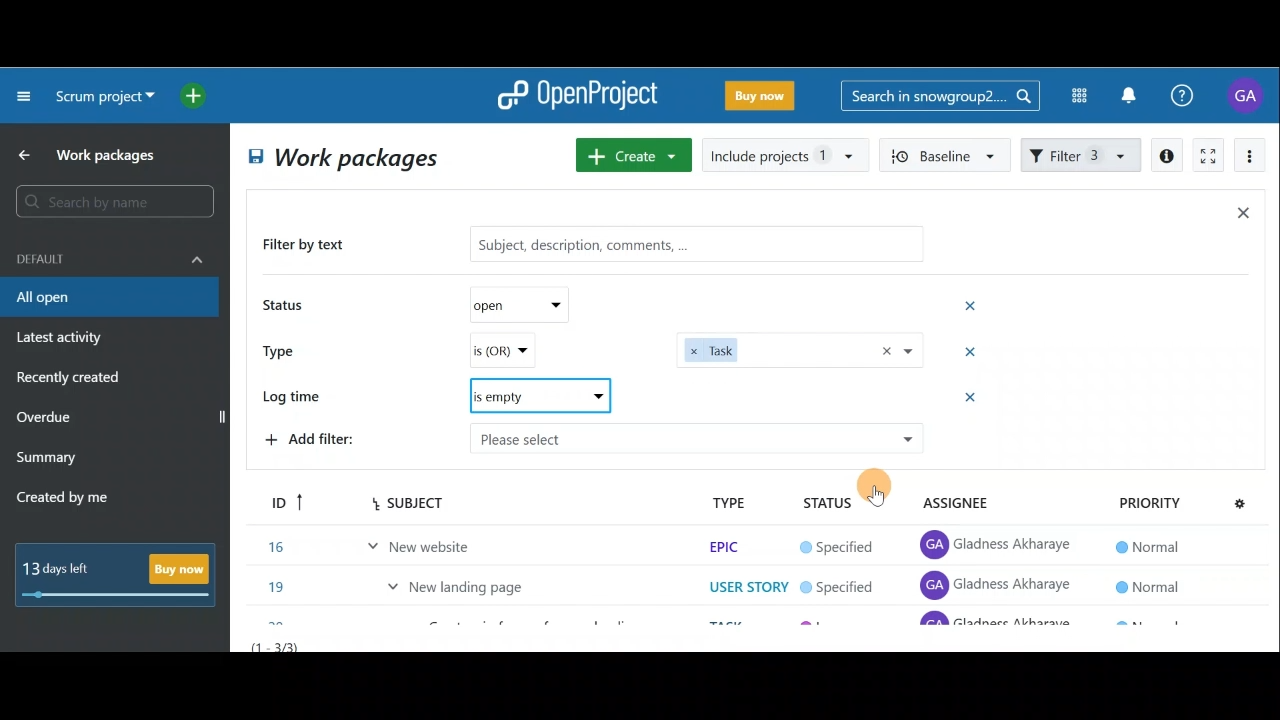 This screenshot has width=1280, height=720. What do you see at coordinates (837, 503) in the screenshot?
I see `specified` at bounding box center [837, 503].